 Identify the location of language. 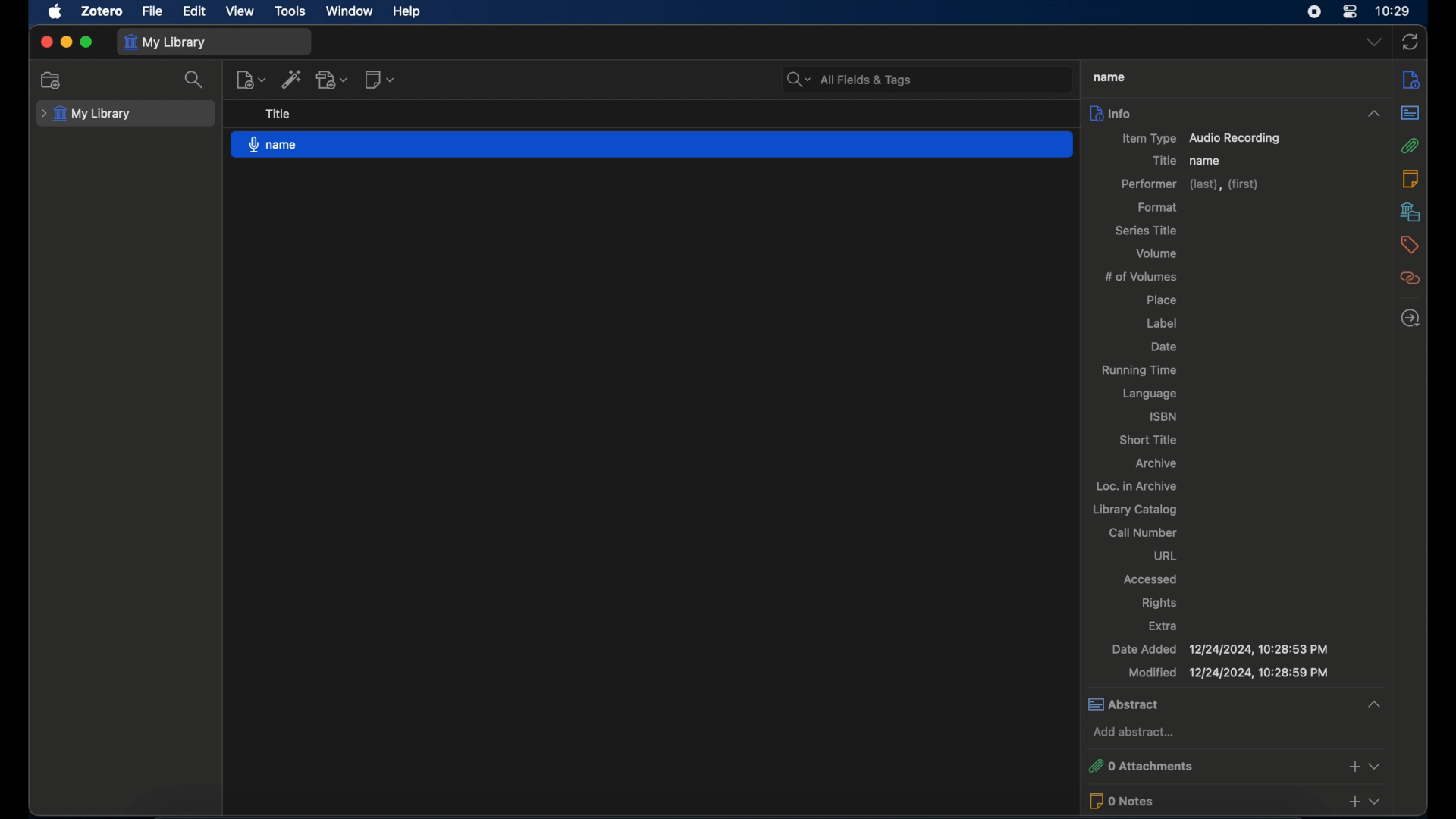
(1152, 395).